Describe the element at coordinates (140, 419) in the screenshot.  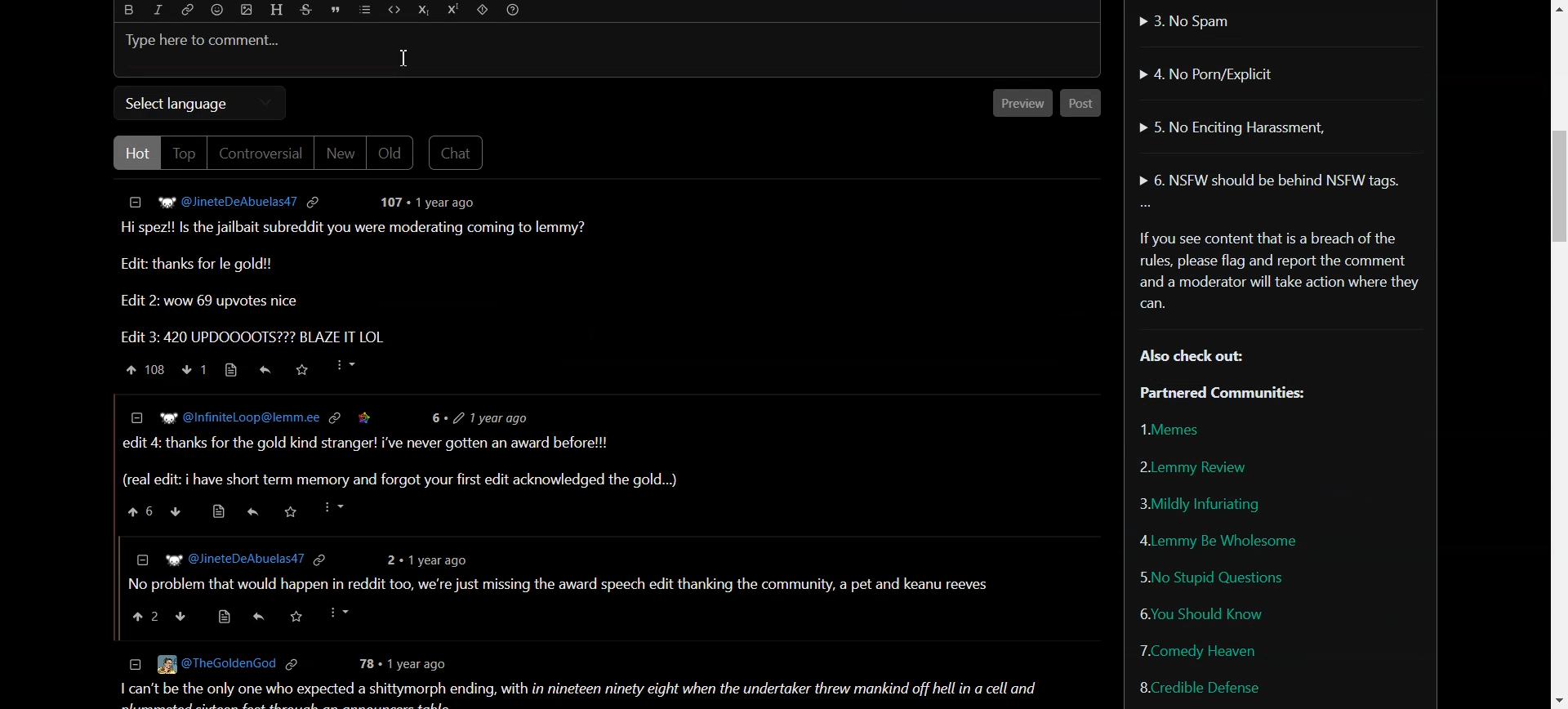
I see `collapse` at that location.